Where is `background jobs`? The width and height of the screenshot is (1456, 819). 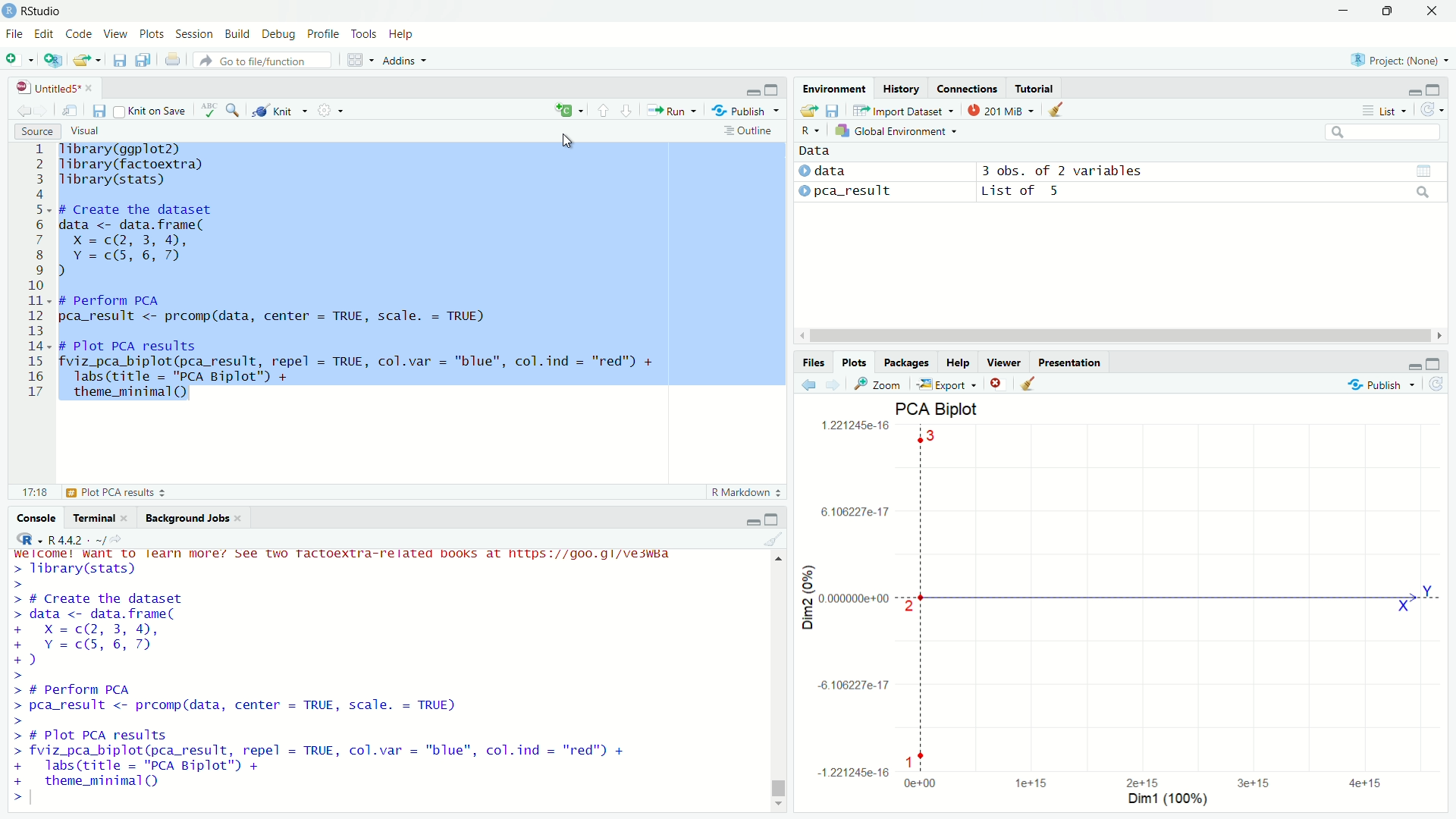 background jobs is located at coordinates (193, 518).